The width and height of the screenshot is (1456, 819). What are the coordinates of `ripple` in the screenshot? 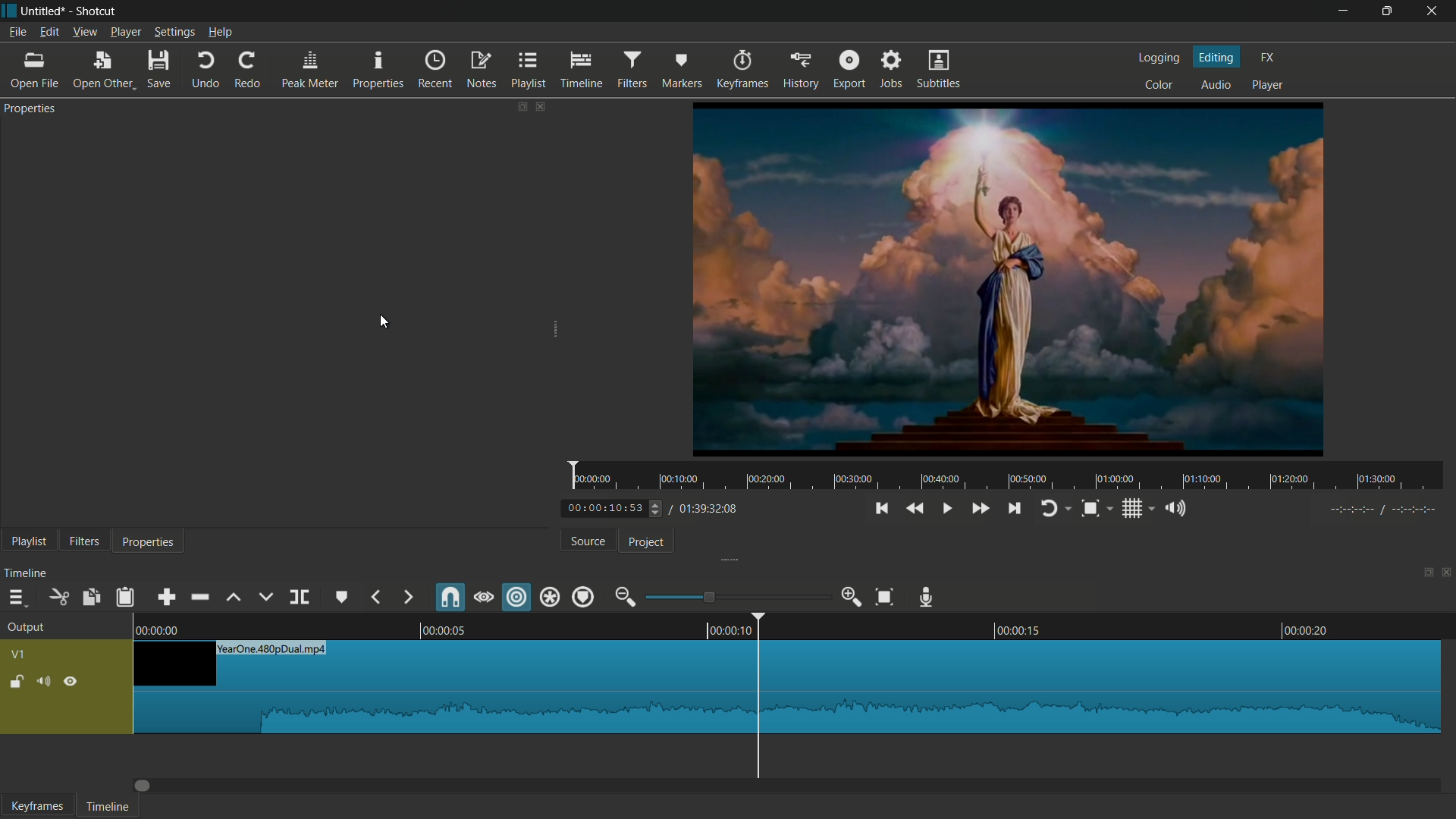 It's located at (516, 597).